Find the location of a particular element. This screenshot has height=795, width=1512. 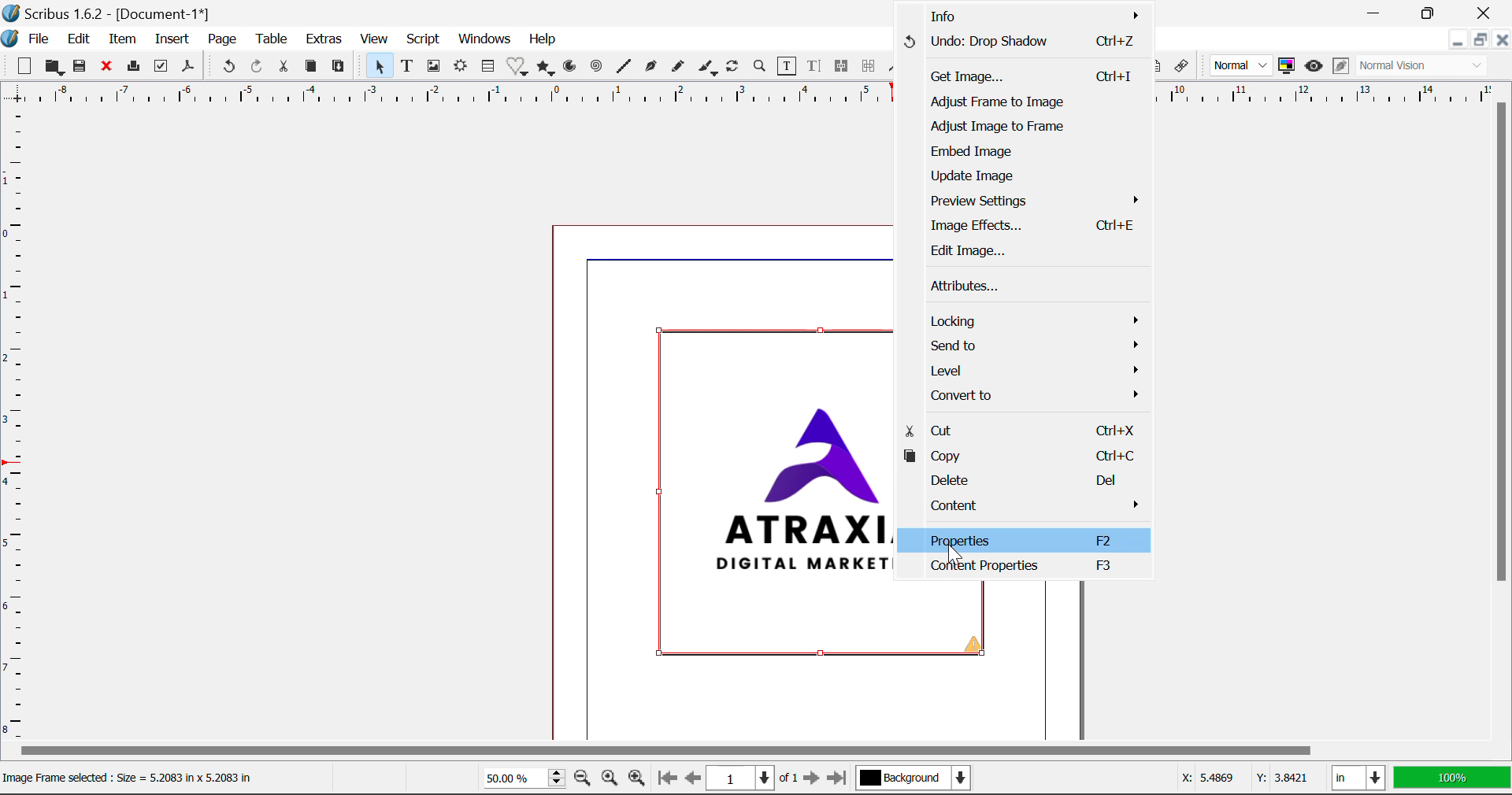

Help is located at coordinates (544, 40).